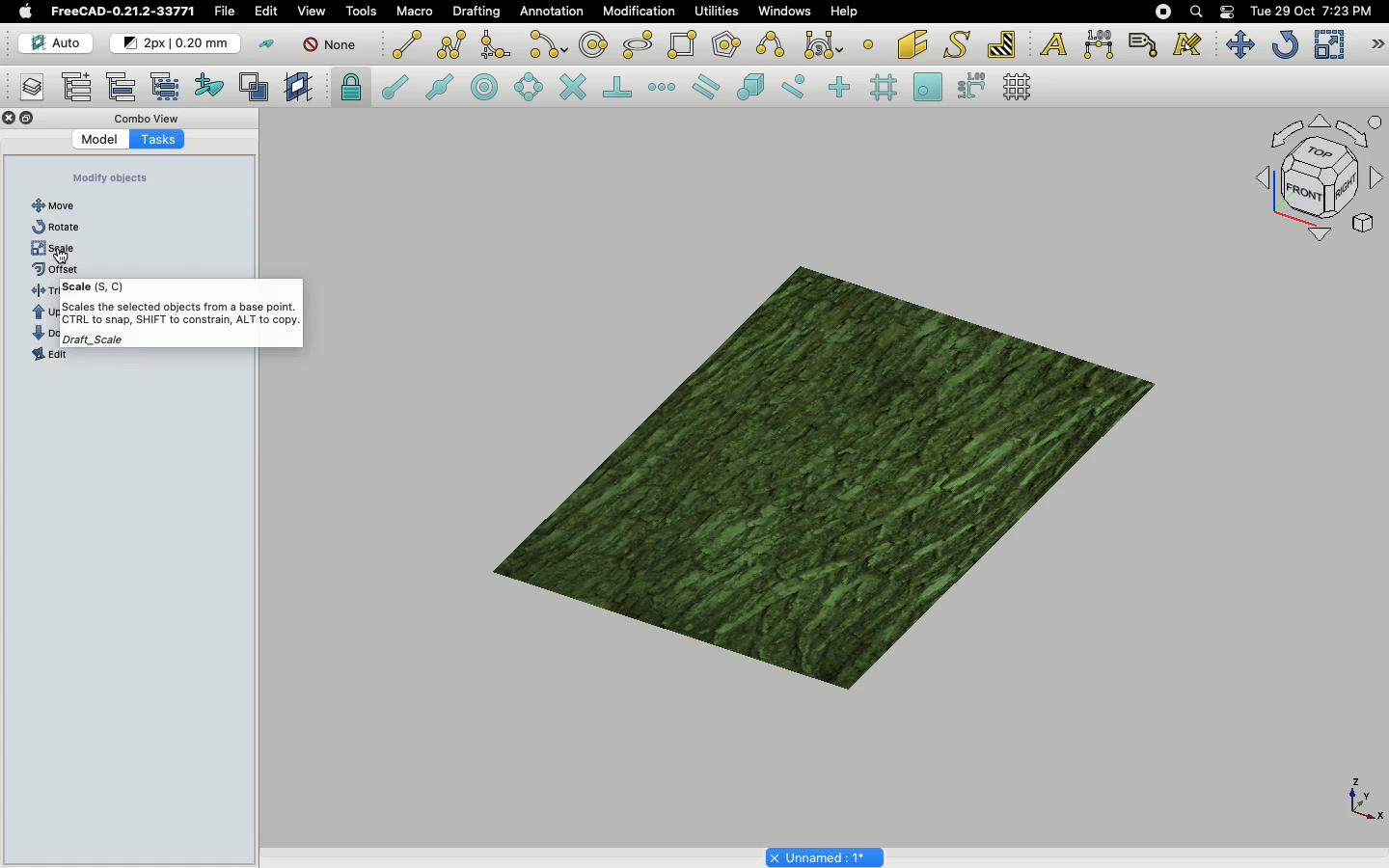  What do you see at coordinates (495, 45) in the screenshot?
I see `Fillet` at bounding box center [495, 45].